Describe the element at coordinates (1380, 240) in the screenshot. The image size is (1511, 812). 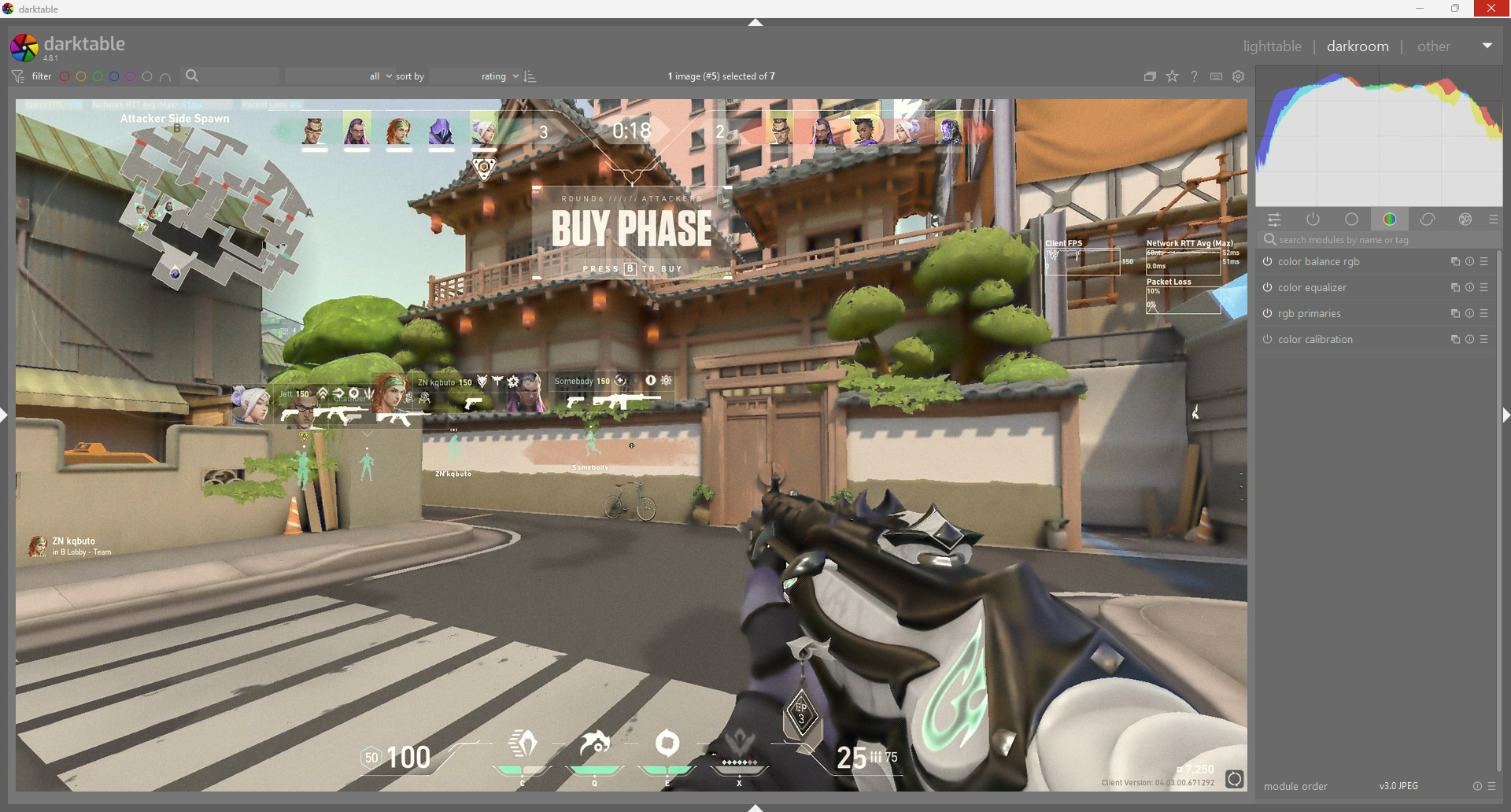
I see `search module` at that location.